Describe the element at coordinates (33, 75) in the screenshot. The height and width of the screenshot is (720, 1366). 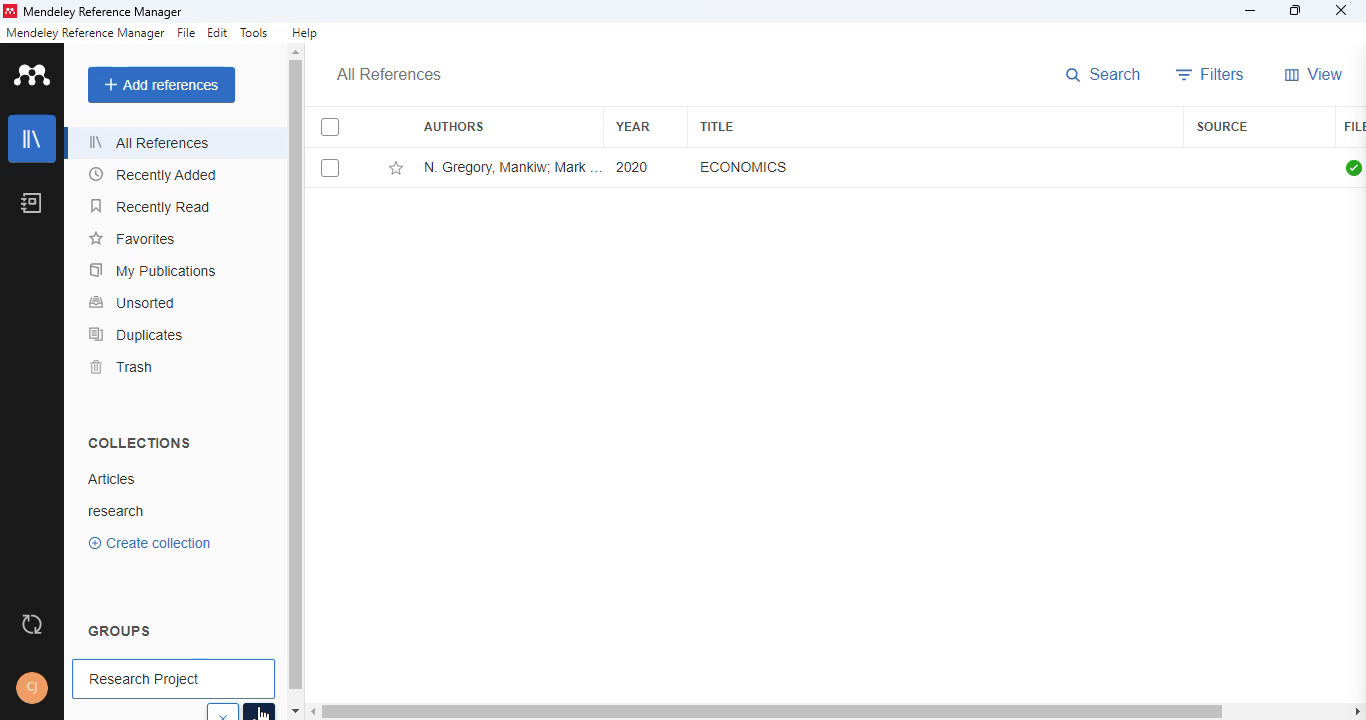
I see `logo` at that location.